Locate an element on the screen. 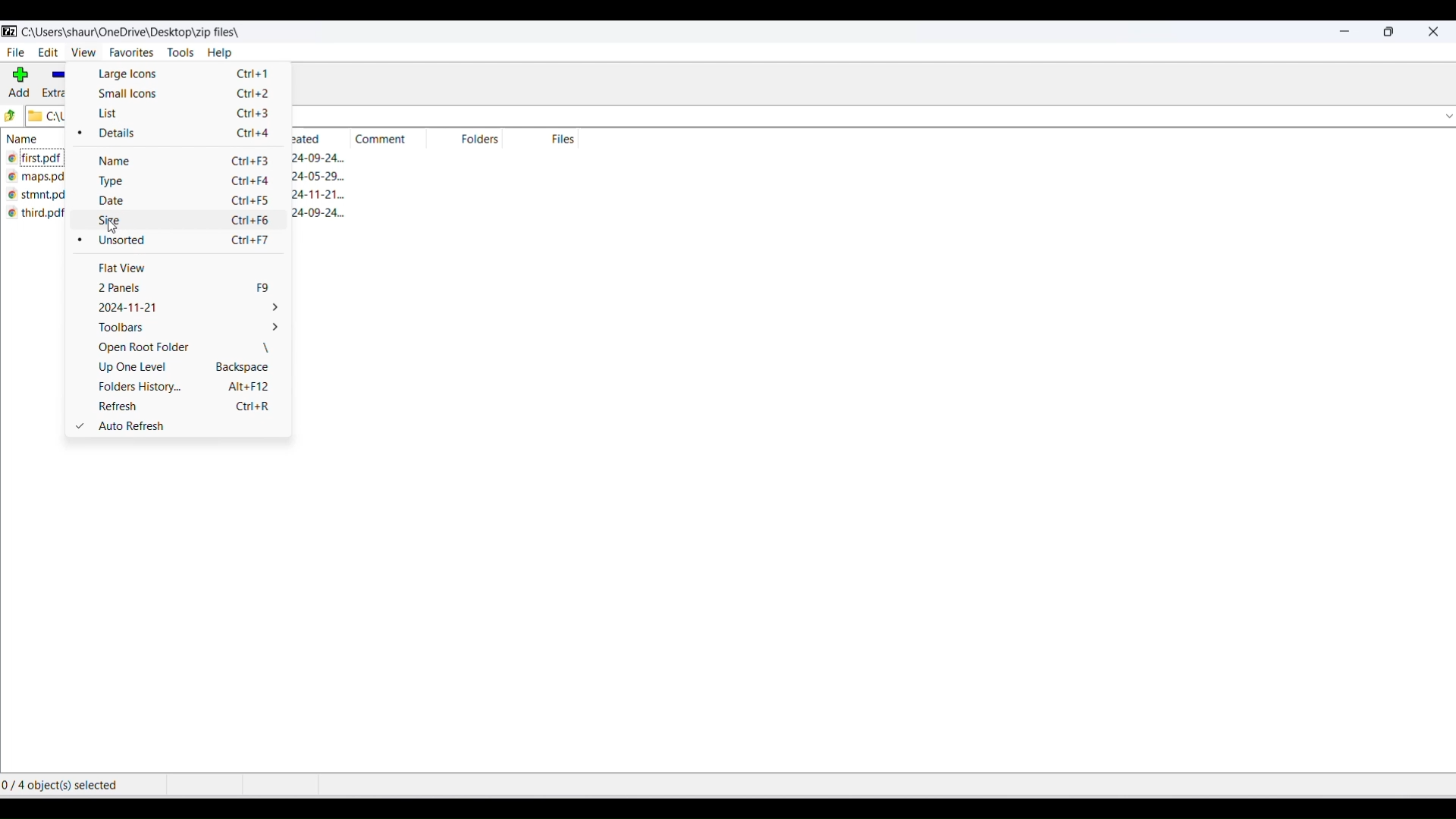 This screenshot has height=819, width=1456. favourites is located at coordinates (129, 53).